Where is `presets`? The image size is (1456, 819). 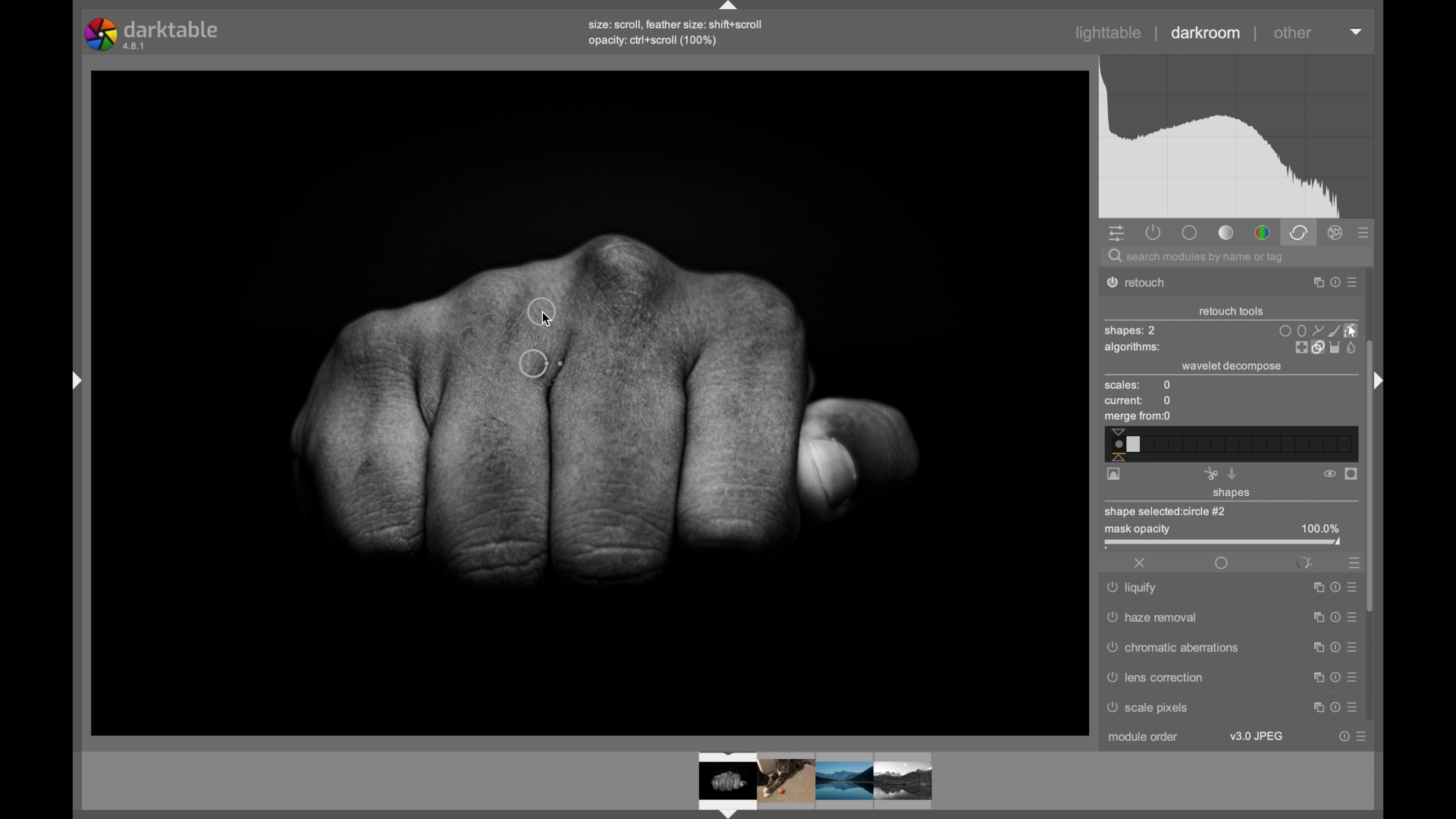 presets is located at coordinates (1351, 562).